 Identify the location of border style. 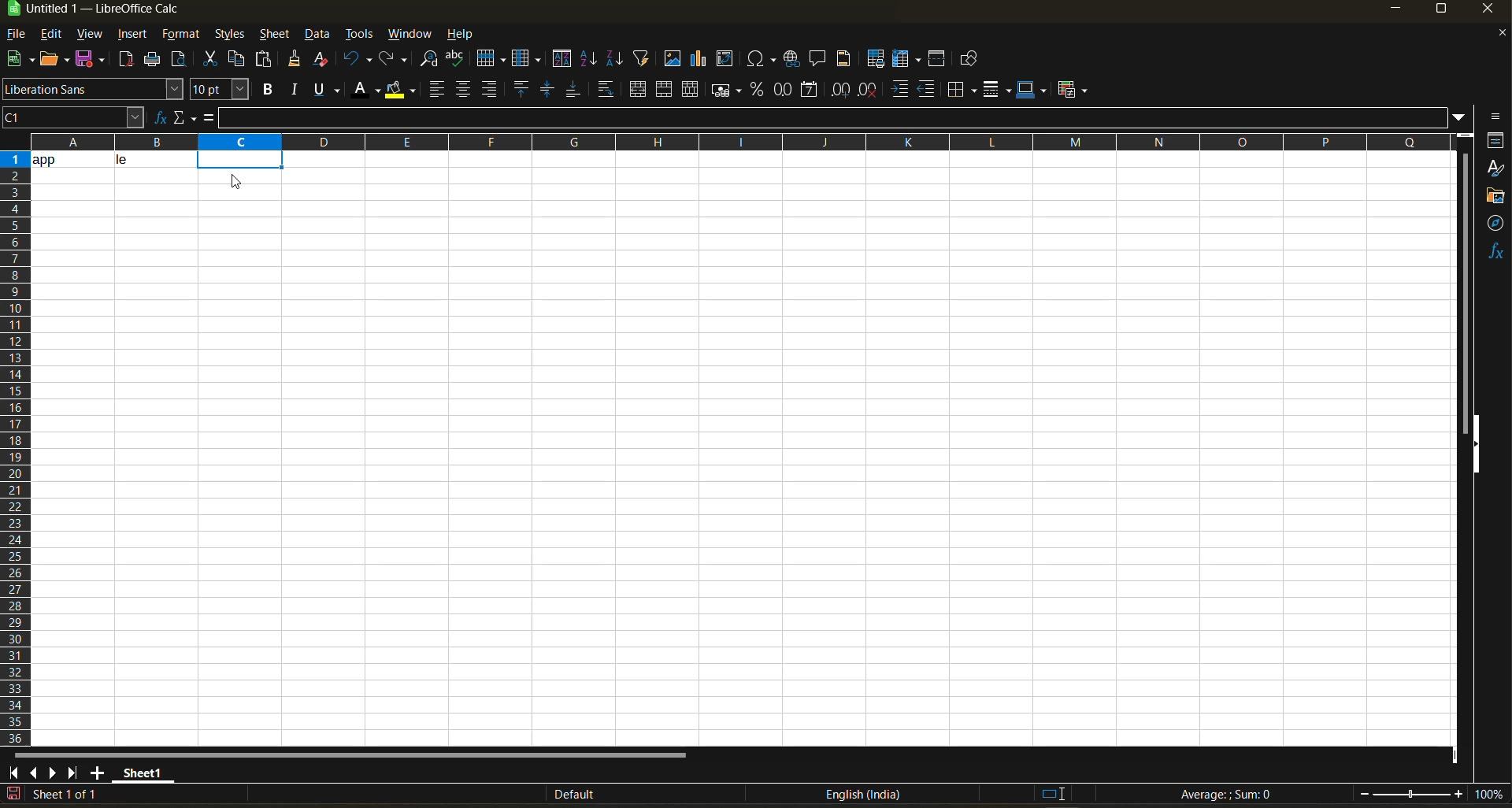
(996, 90).